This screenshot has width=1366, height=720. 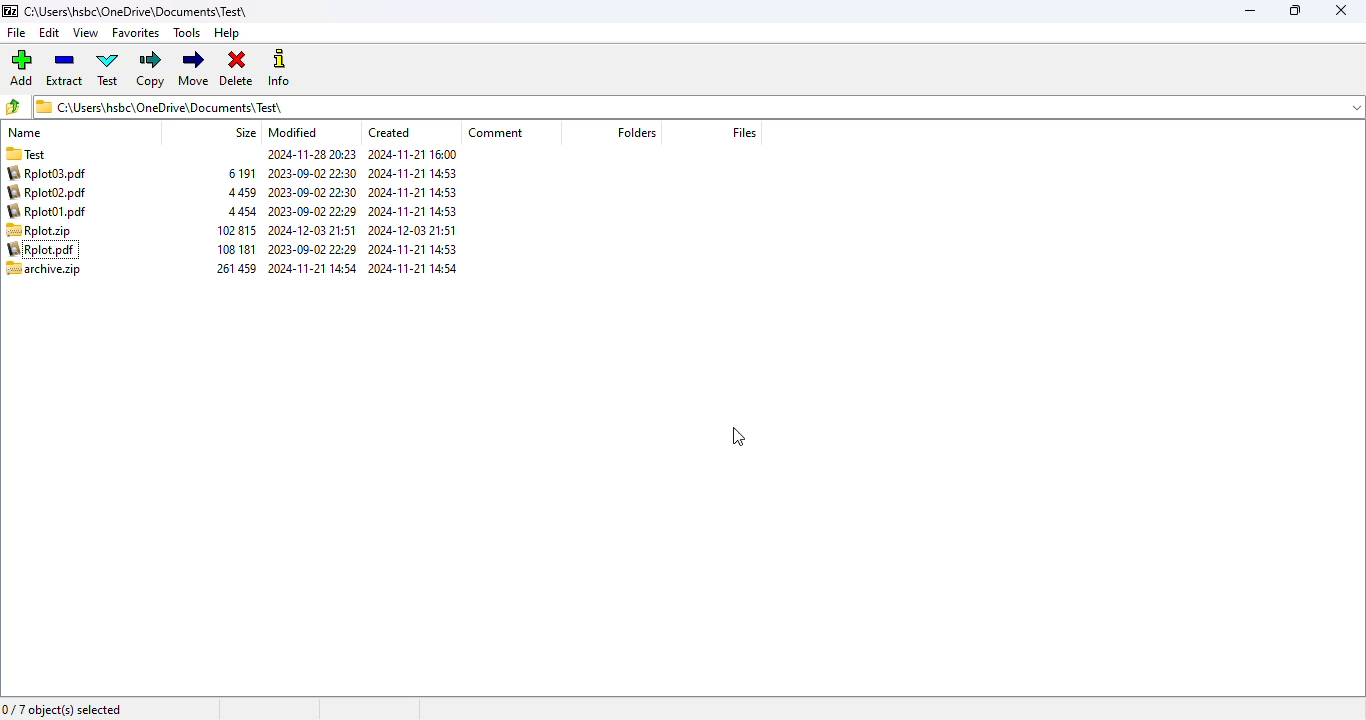 What do you see at coordinates (1252, 11) in the screenshot?
I see `minimize` at bounding box center [1252, 11].